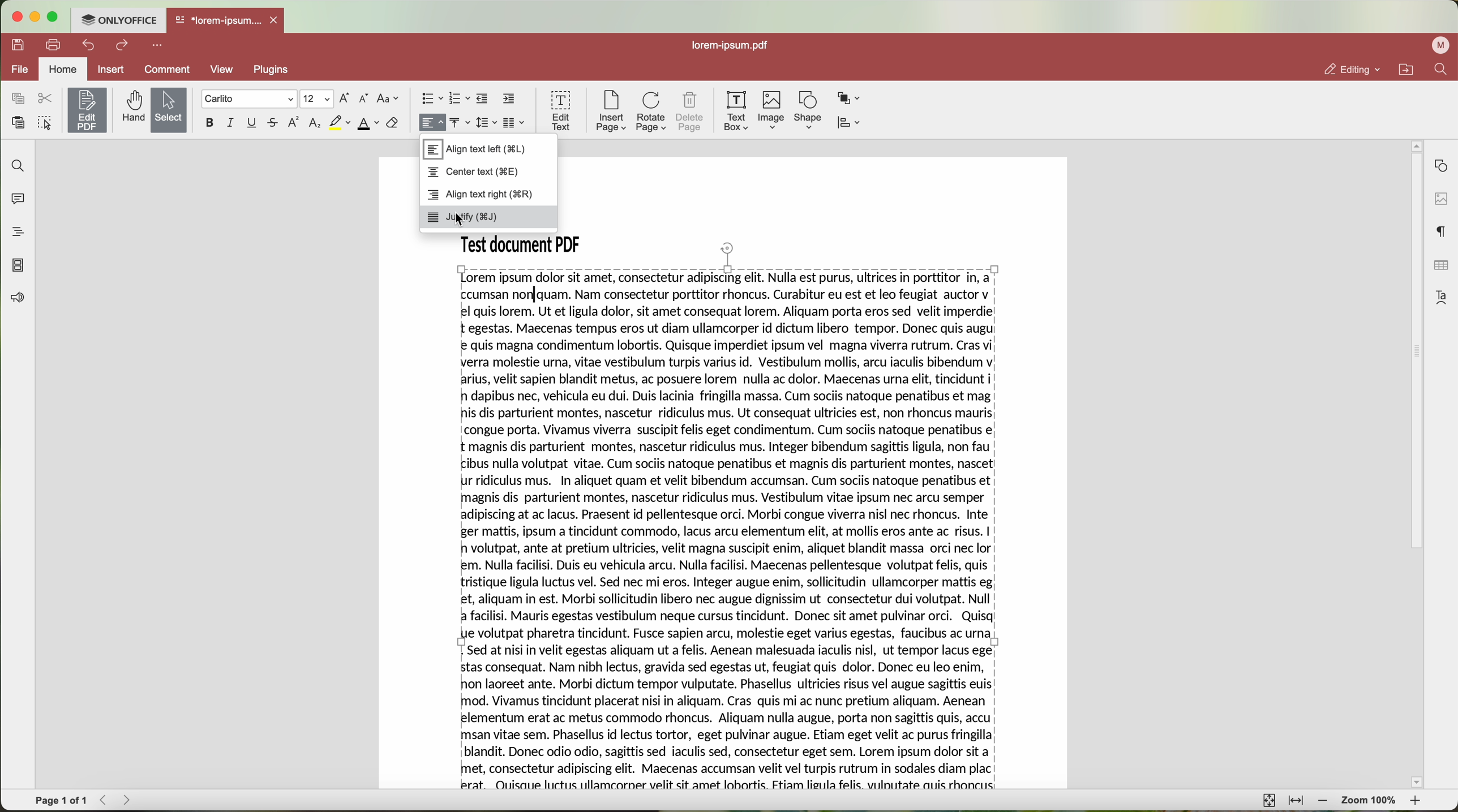 Image resolution: width=1458 pixels, height=812 pixels. I want to click on open file location, so click(1405, 69).